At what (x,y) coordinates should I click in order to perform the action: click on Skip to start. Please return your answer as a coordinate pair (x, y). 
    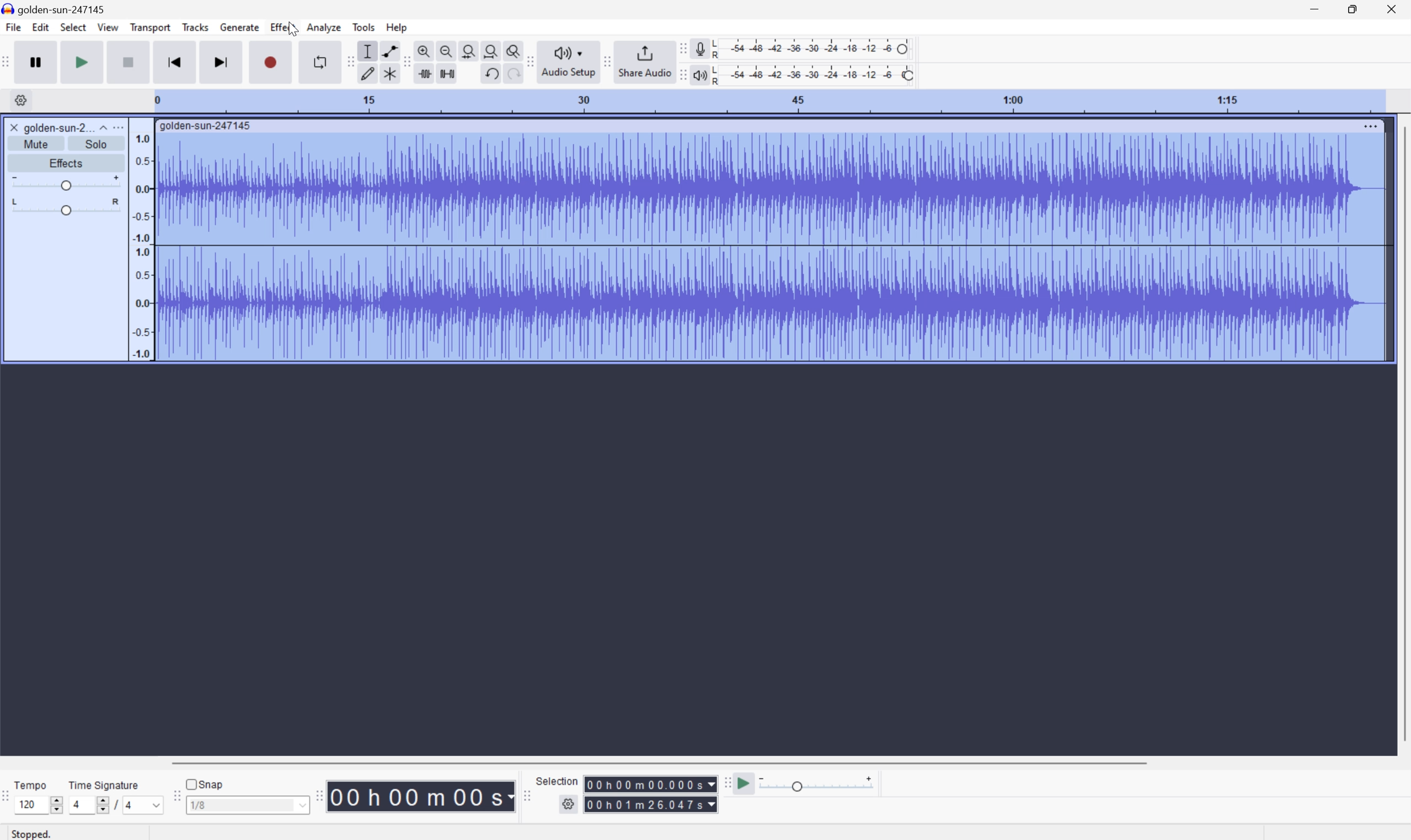
    Looking at the image, I should click on (175, 61).